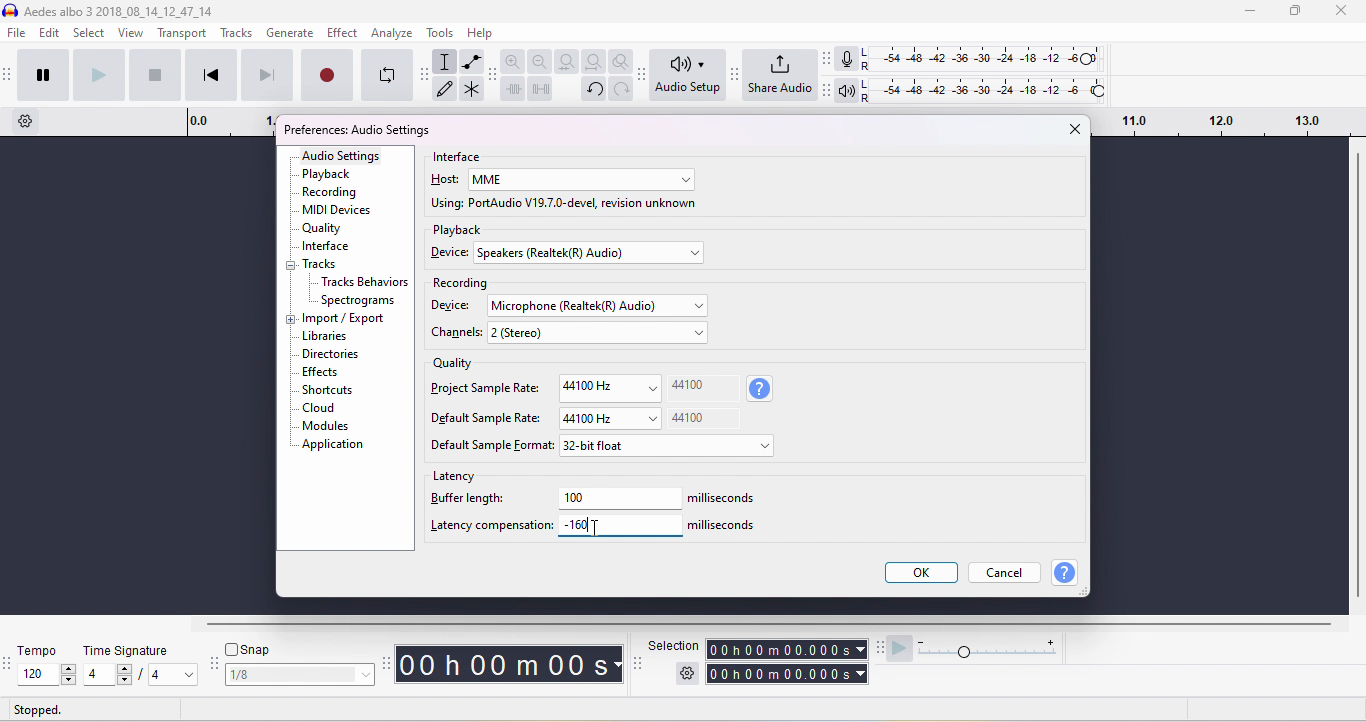 The width and height of the screenshot is (1366, 722). What do you see at coordinates (1006, 571) in the screenshot?
I see `cancel` at bounding box center [1006, 571].